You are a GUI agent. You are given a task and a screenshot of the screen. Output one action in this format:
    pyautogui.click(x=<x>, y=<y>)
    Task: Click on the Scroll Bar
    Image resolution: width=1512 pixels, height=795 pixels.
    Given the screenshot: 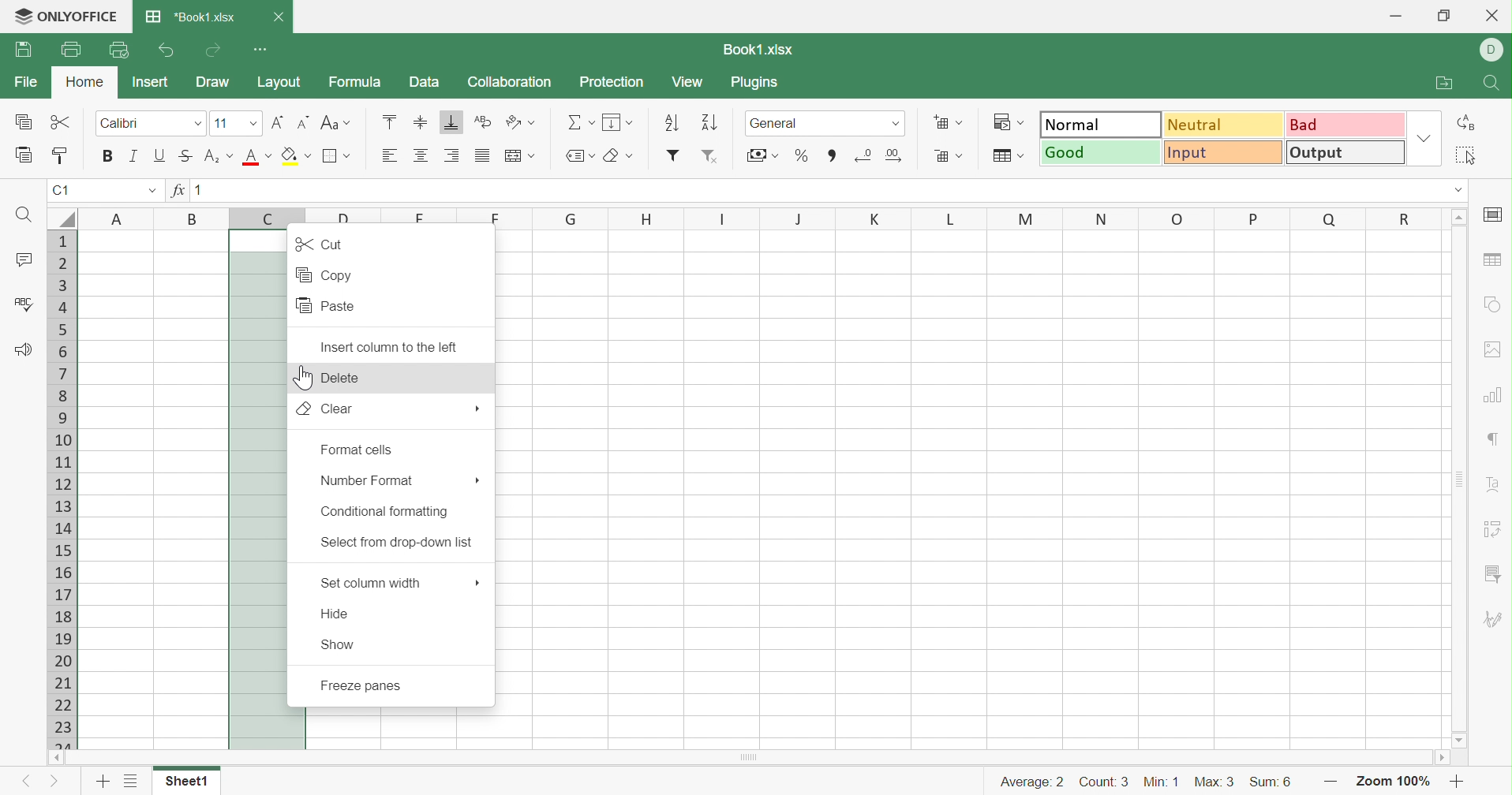 What is the action you would take?
    pyautogui.click(x=1462, y=481)
    